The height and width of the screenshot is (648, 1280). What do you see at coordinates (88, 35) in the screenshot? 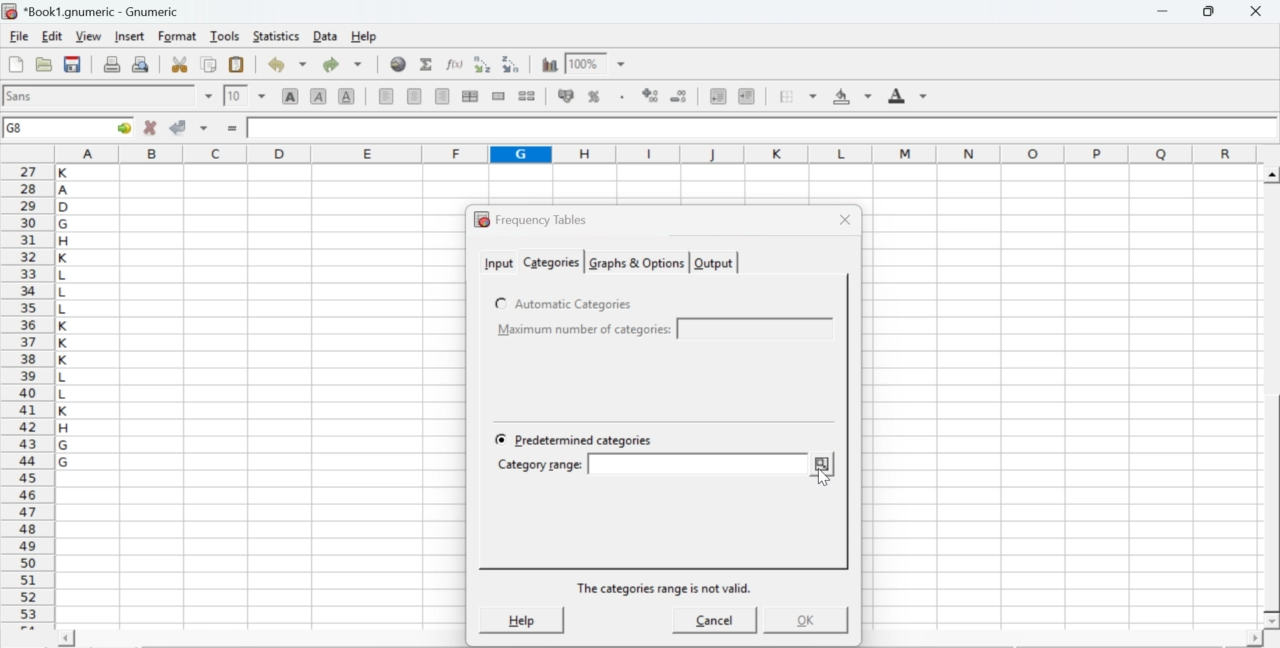
I see `view` at bounding box center [88, 35].